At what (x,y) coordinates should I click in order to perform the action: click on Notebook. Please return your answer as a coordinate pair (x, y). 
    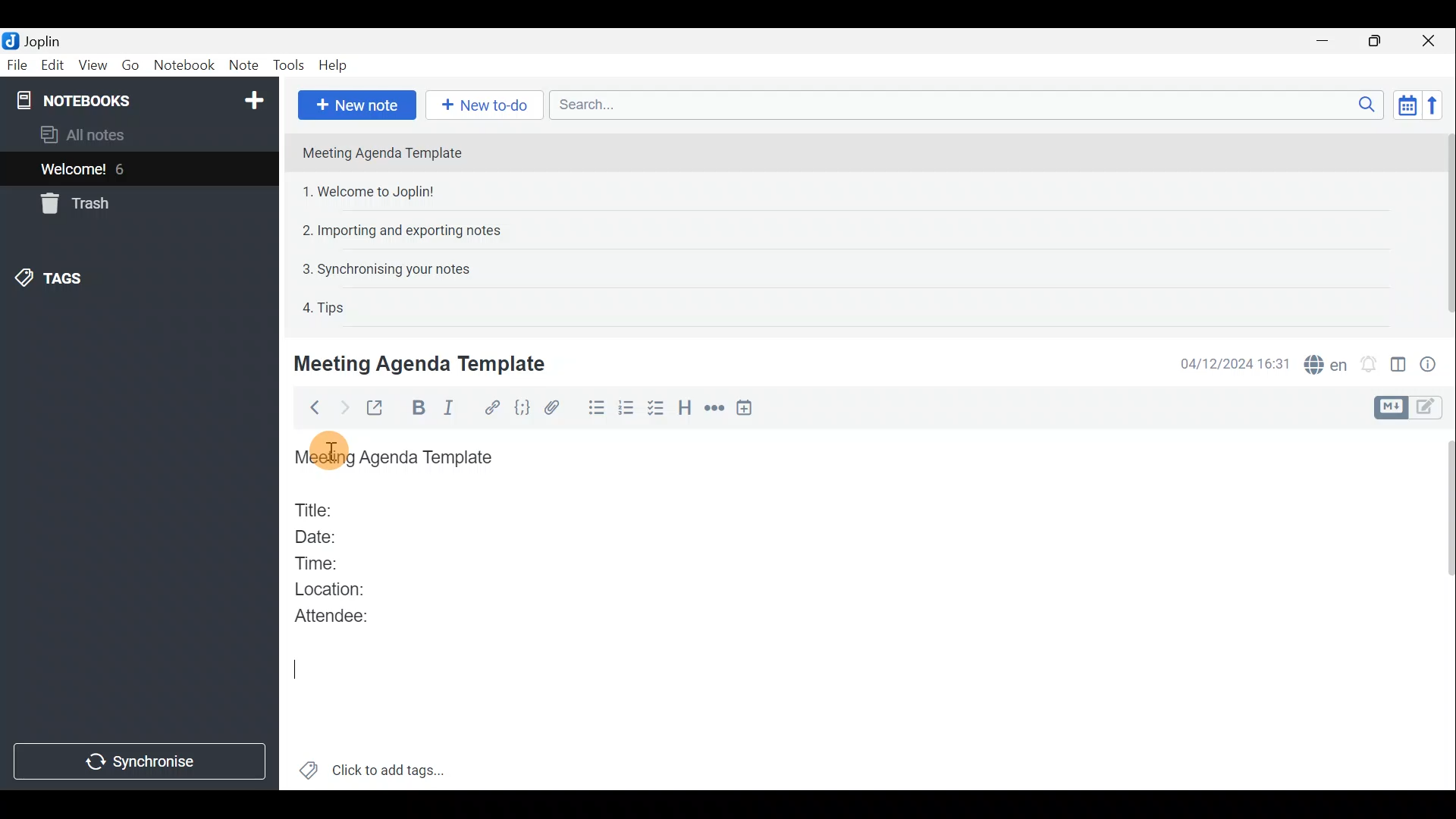
    Looking at the image, I should click on (183, 64).